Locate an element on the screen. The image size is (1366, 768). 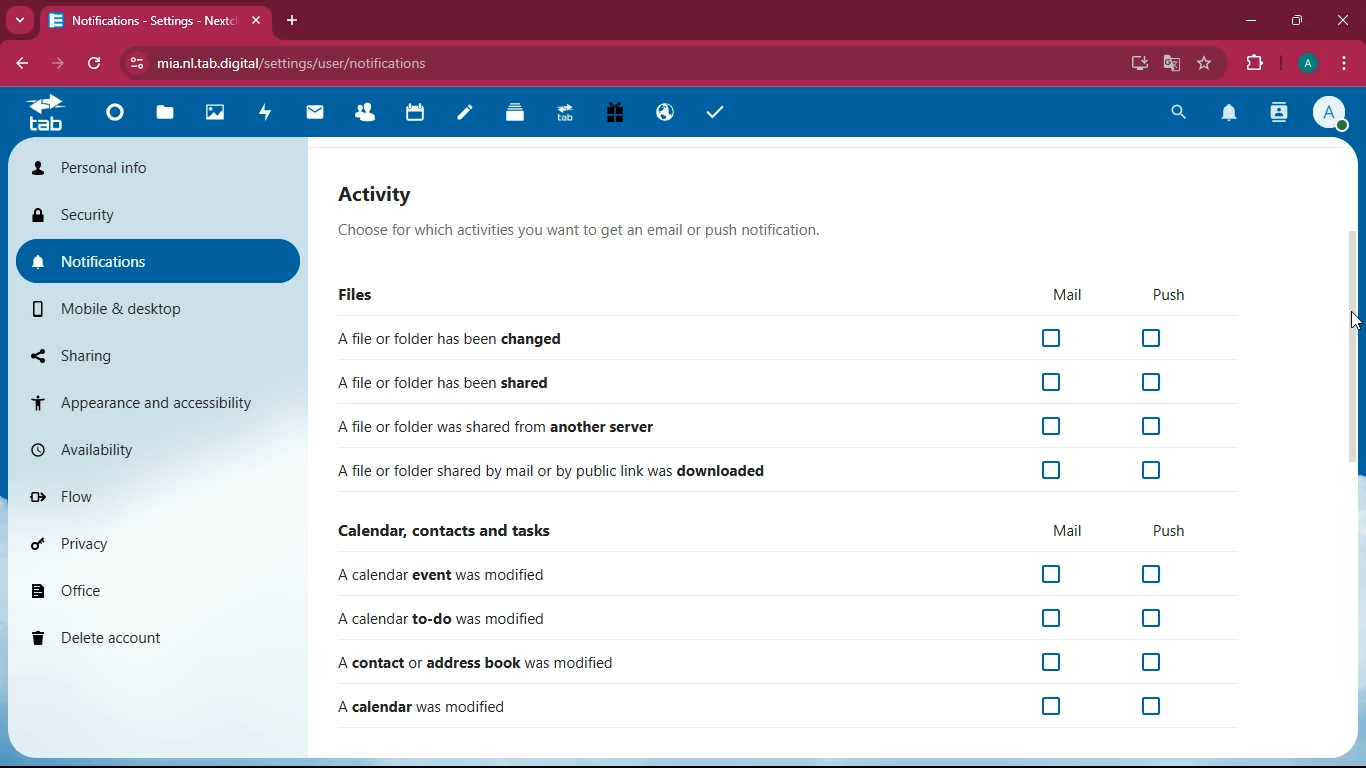
sharing is located at coordinates (152, 355).